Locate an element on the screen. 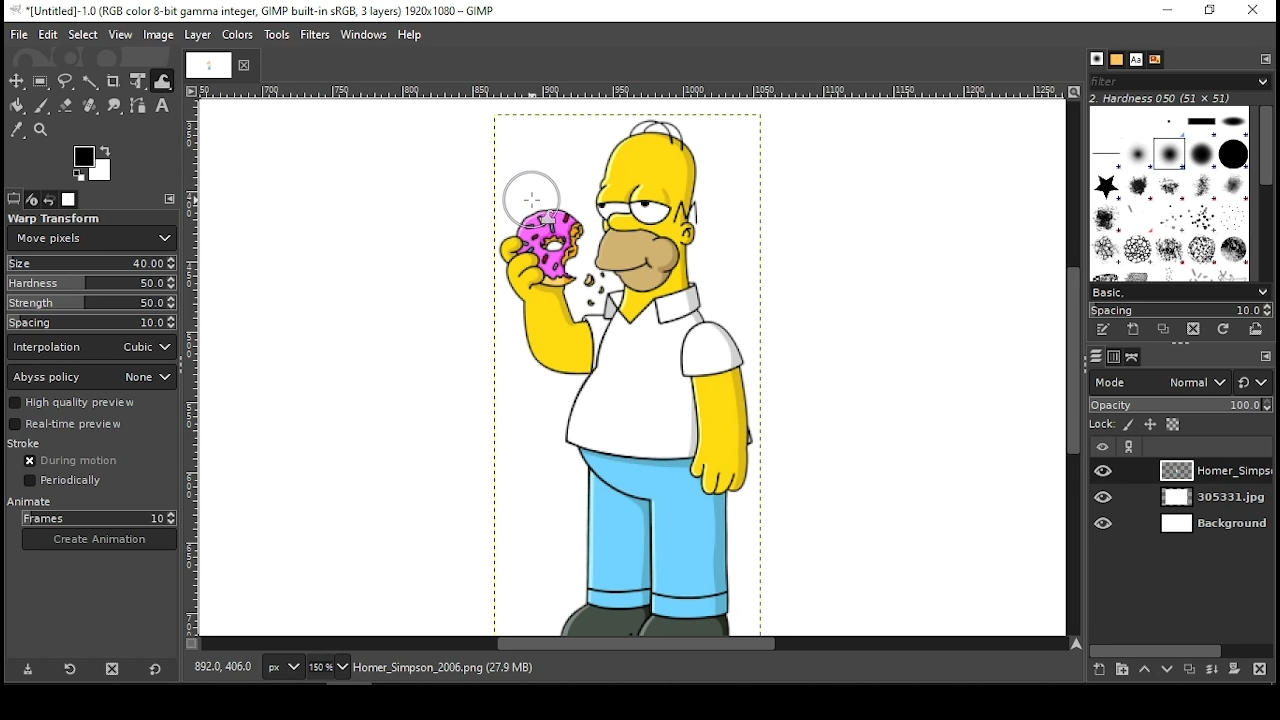  warp tool is located at coordinates (162, 82).